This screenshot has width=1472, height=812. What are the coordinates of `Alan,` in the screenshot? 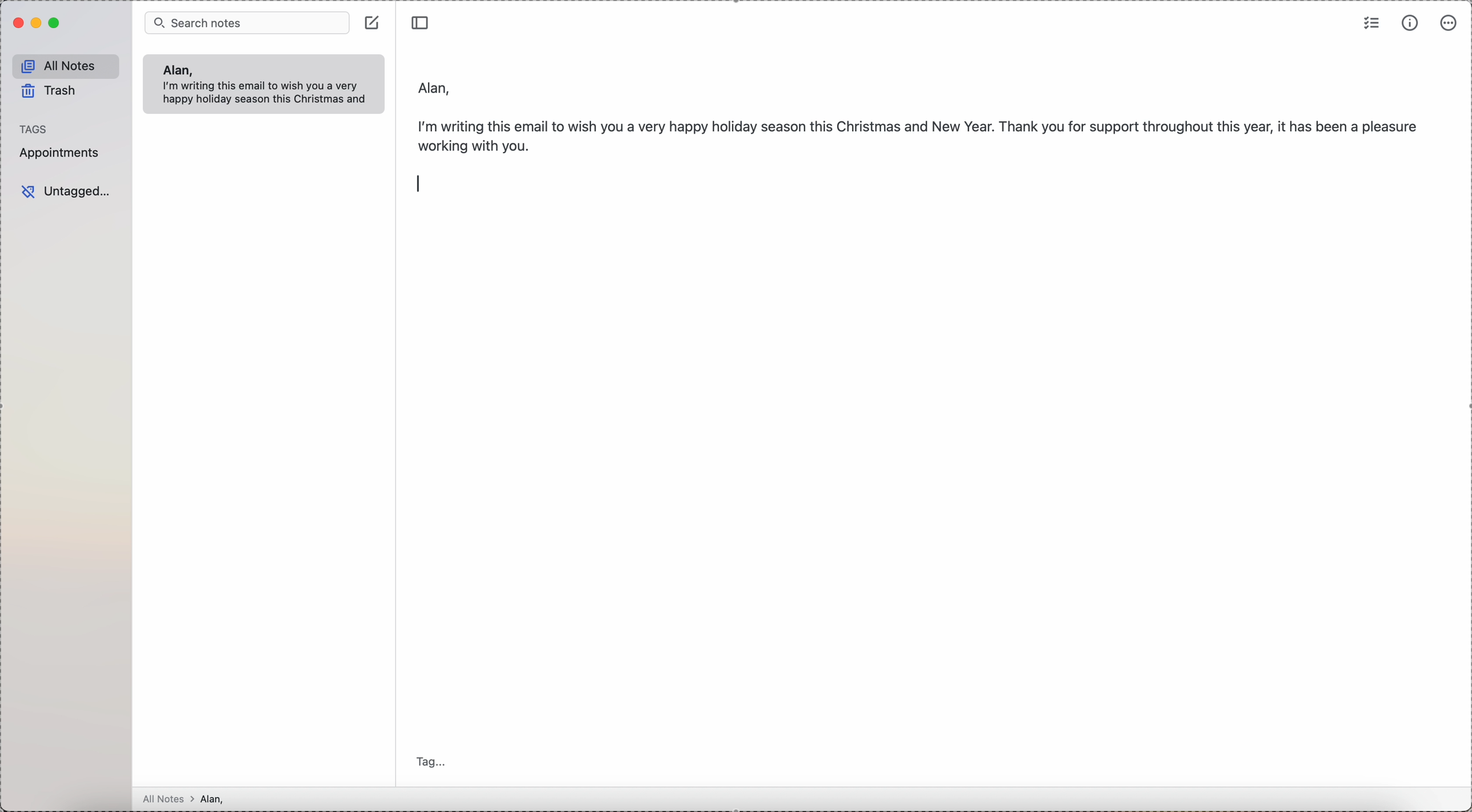 It's located at (435, 85).